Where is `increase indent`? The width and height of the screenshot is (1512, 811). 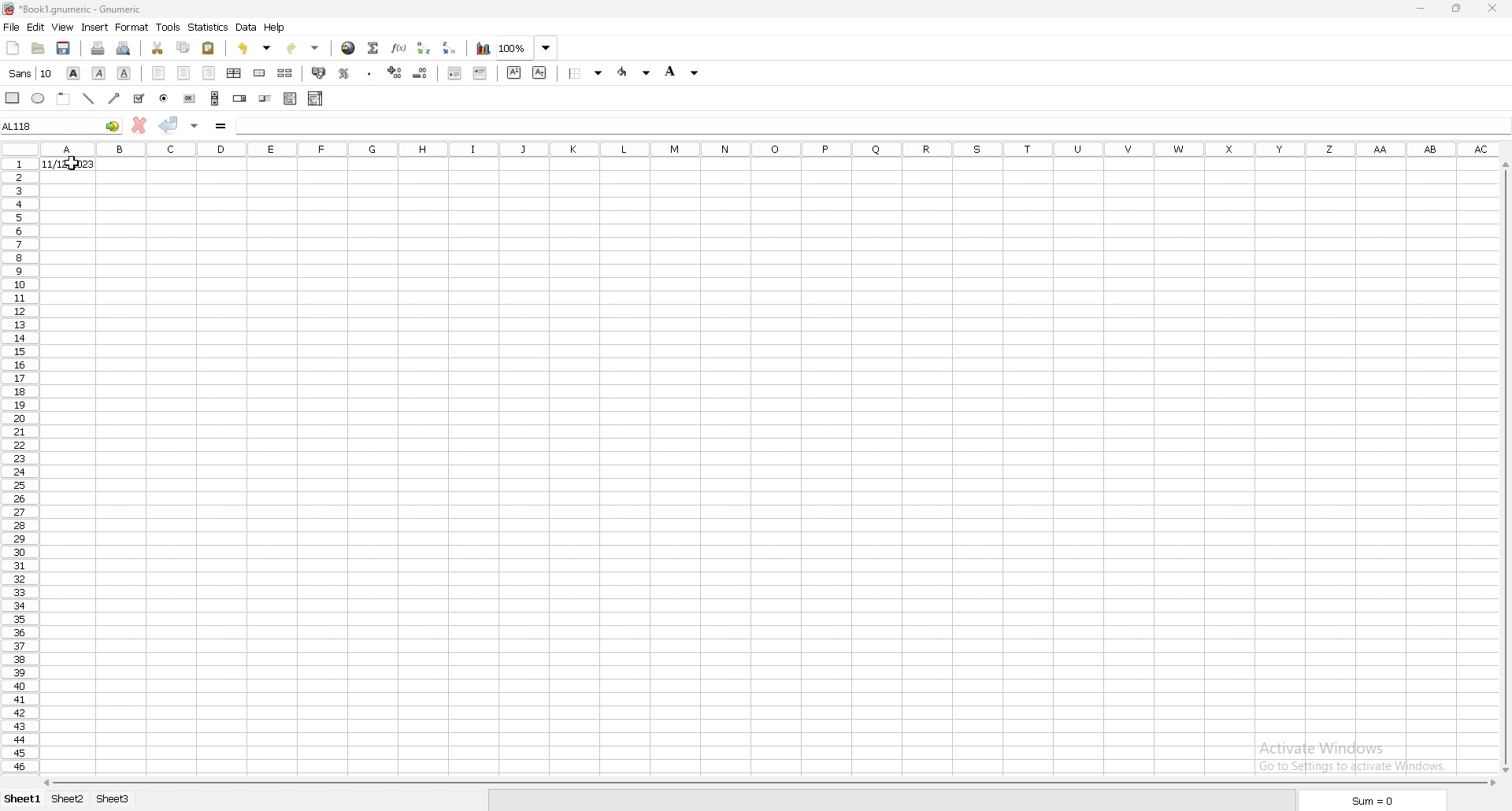
increase indent is located at coordinates (395, 72).